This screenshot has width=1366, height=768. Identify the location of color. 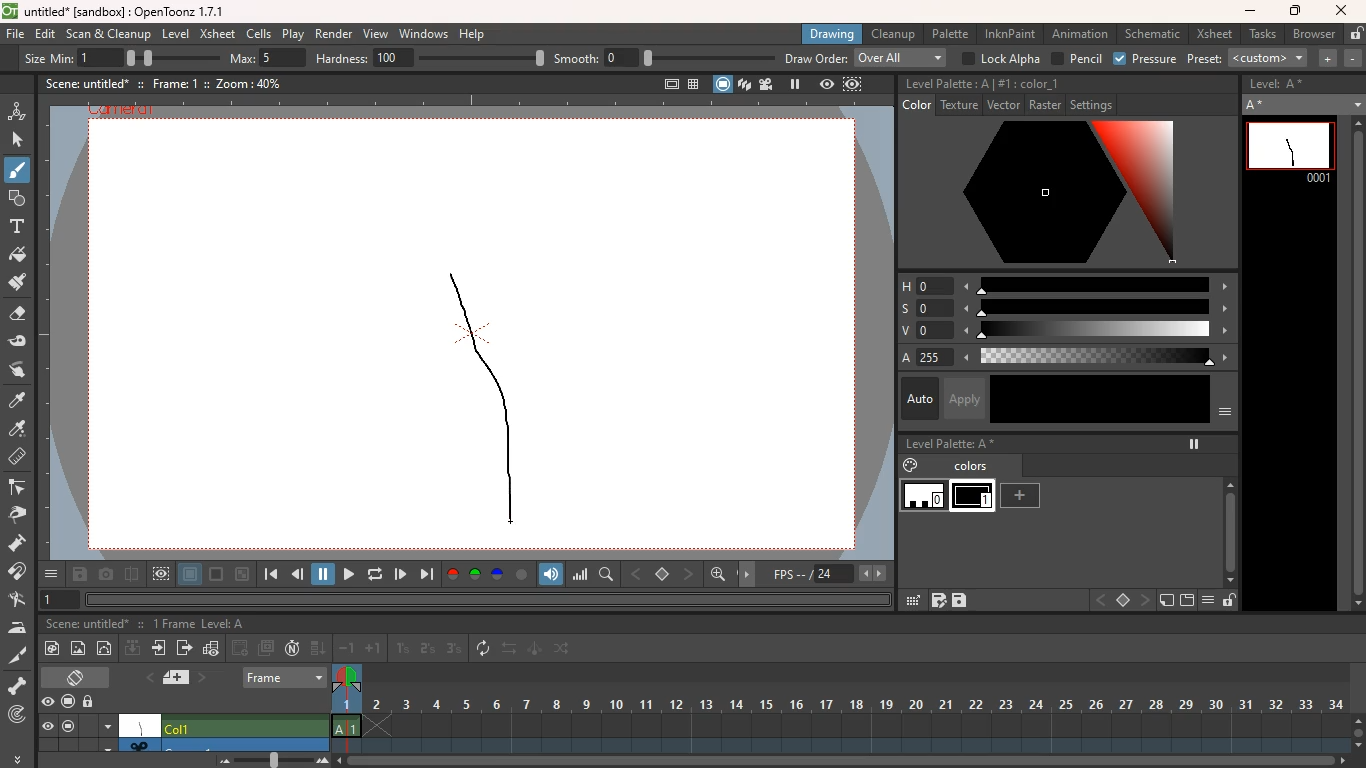
(1100, 399).